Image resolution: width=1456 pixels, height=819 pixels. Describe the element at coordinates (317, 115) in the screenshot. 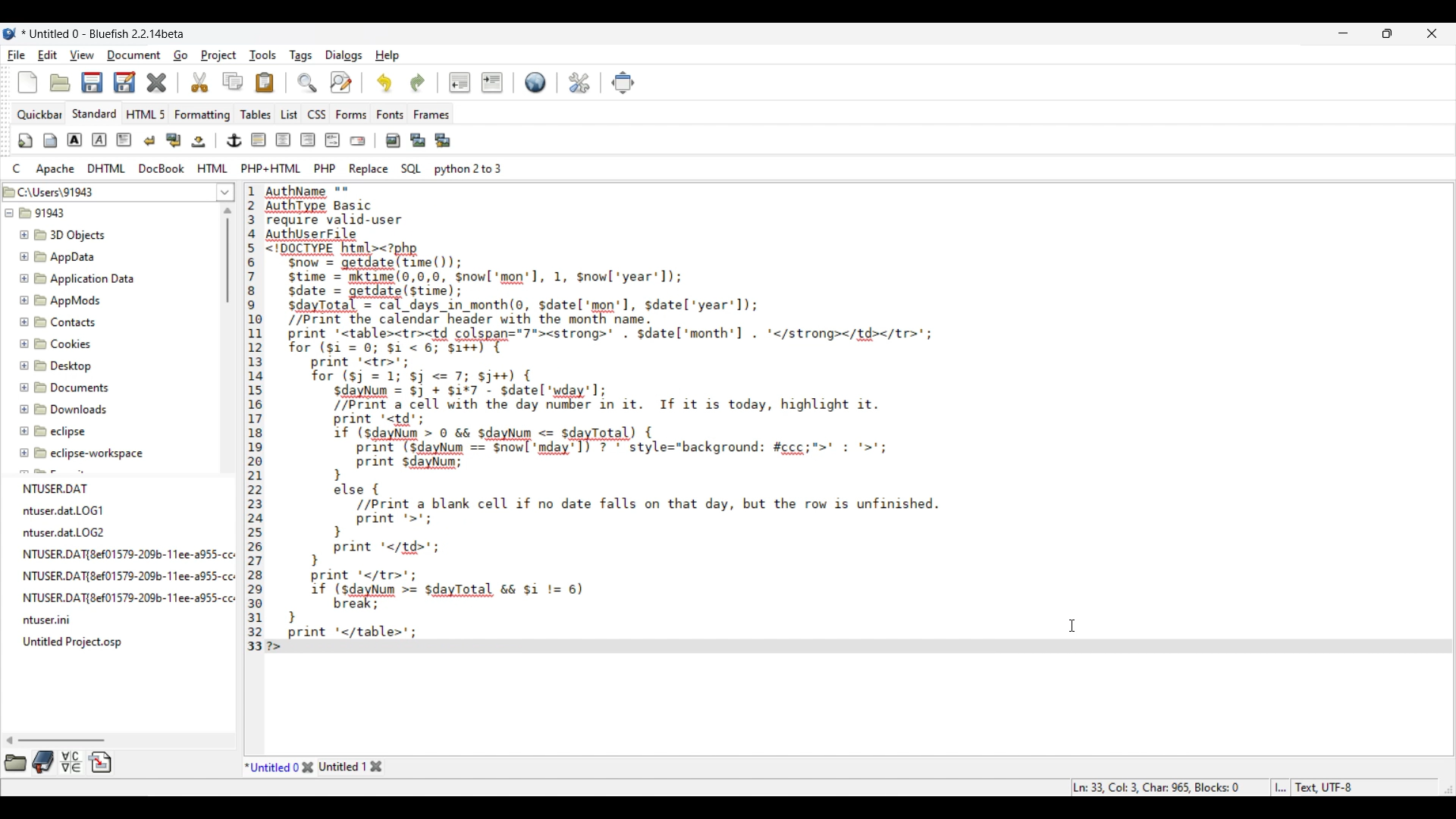

I see `CSS` at that location.